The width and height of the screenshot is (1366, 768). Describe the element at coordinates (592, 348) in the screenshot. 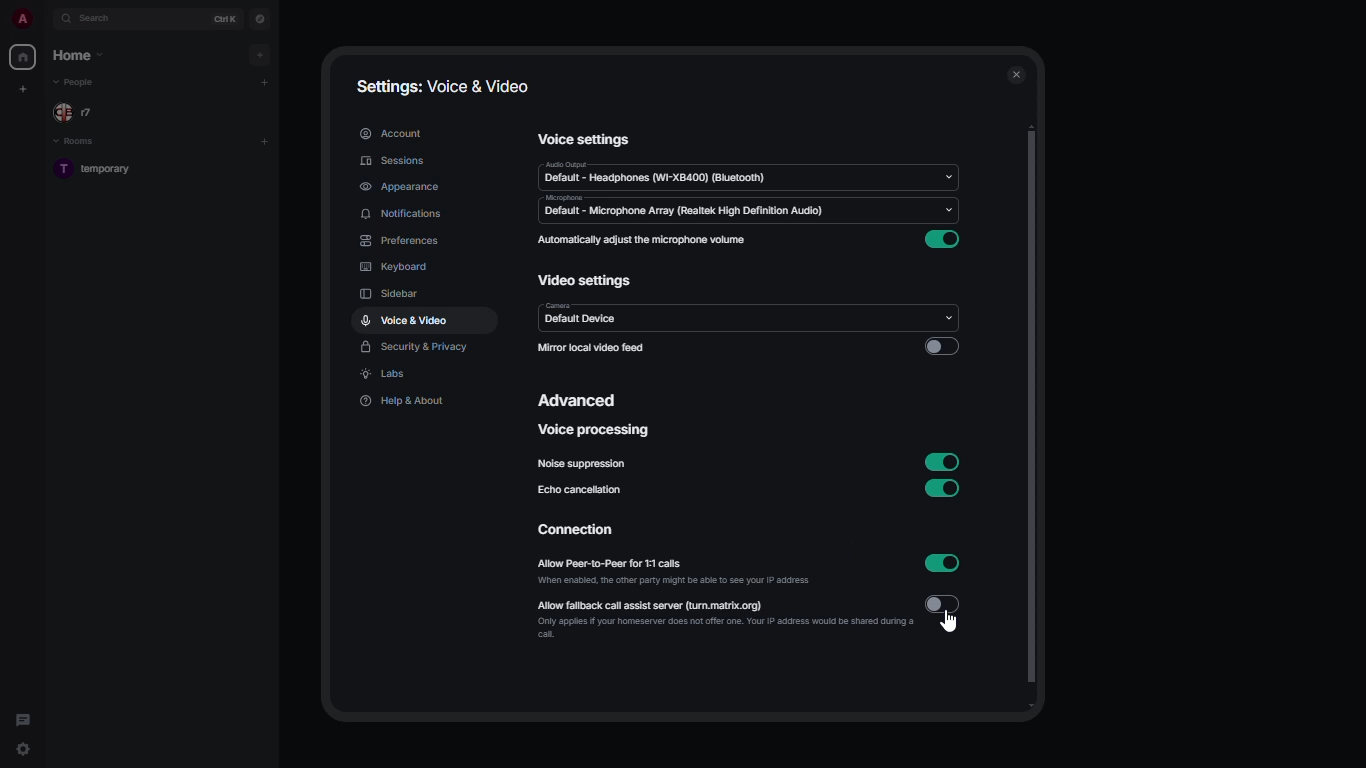

I see `mirror local video feed` at that location.